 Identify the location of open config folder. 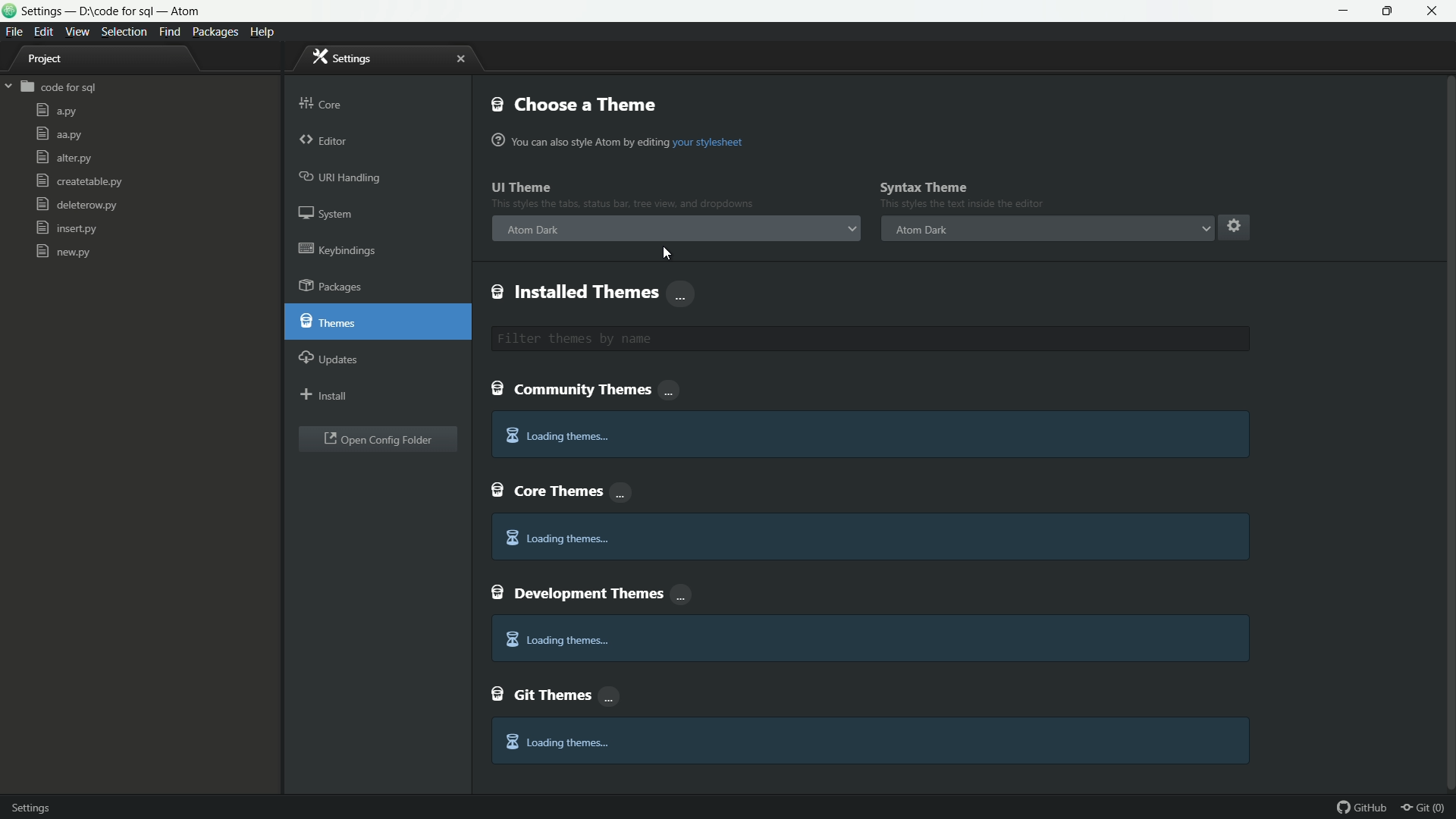
(378, 440).